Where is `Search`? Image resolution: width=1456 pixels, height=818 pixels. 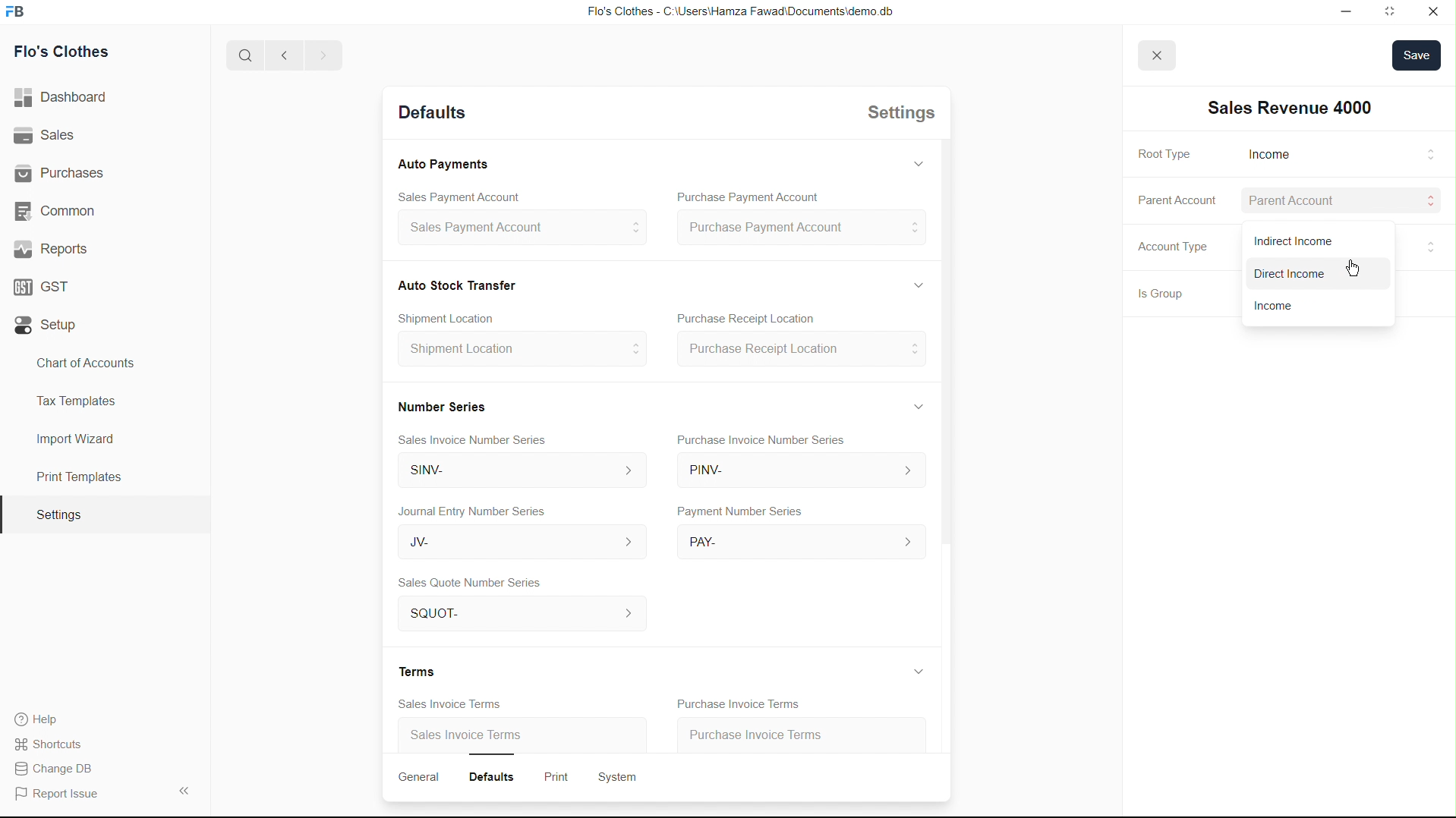 Search is located at coordinates (240, 55).